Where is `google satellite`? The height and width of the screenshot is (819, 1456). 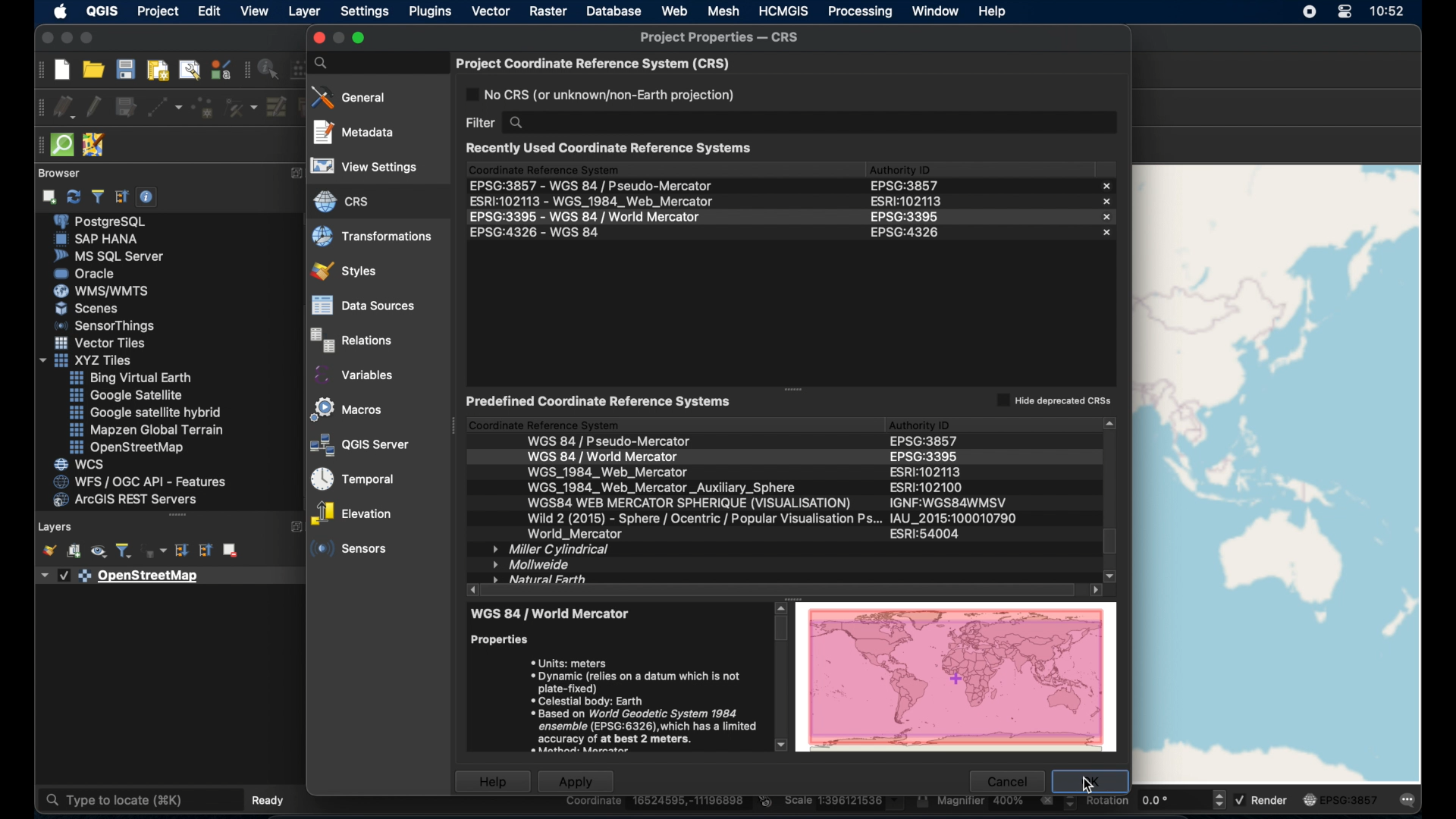
google satellite is located at coordinates (130, 397).